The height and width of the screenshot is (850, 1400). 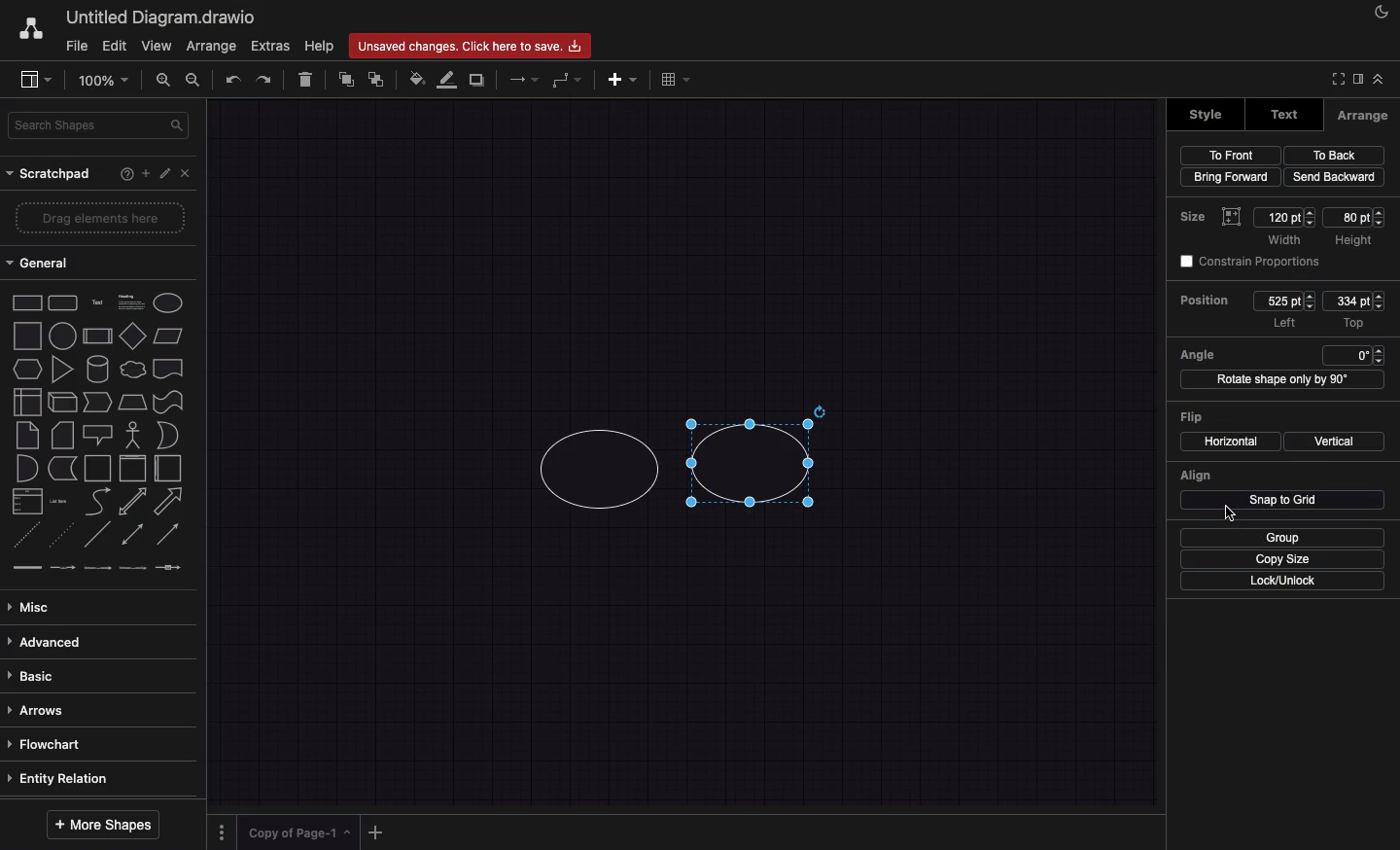 I want to click on group, so click(x=1281, y=538).